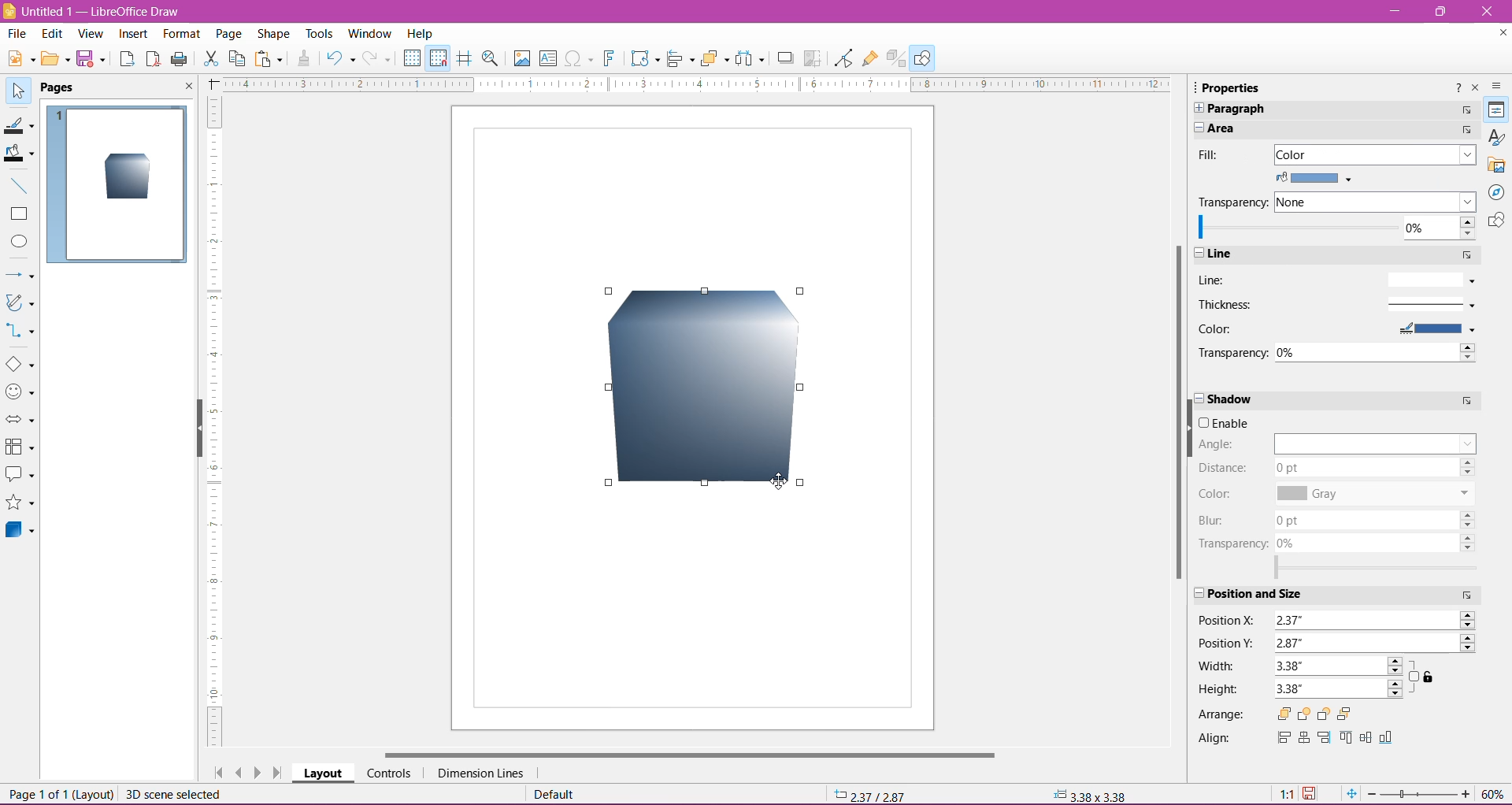 This screenshot has height=805, width=1512. I want to click on Fill, so click(1214, 154).